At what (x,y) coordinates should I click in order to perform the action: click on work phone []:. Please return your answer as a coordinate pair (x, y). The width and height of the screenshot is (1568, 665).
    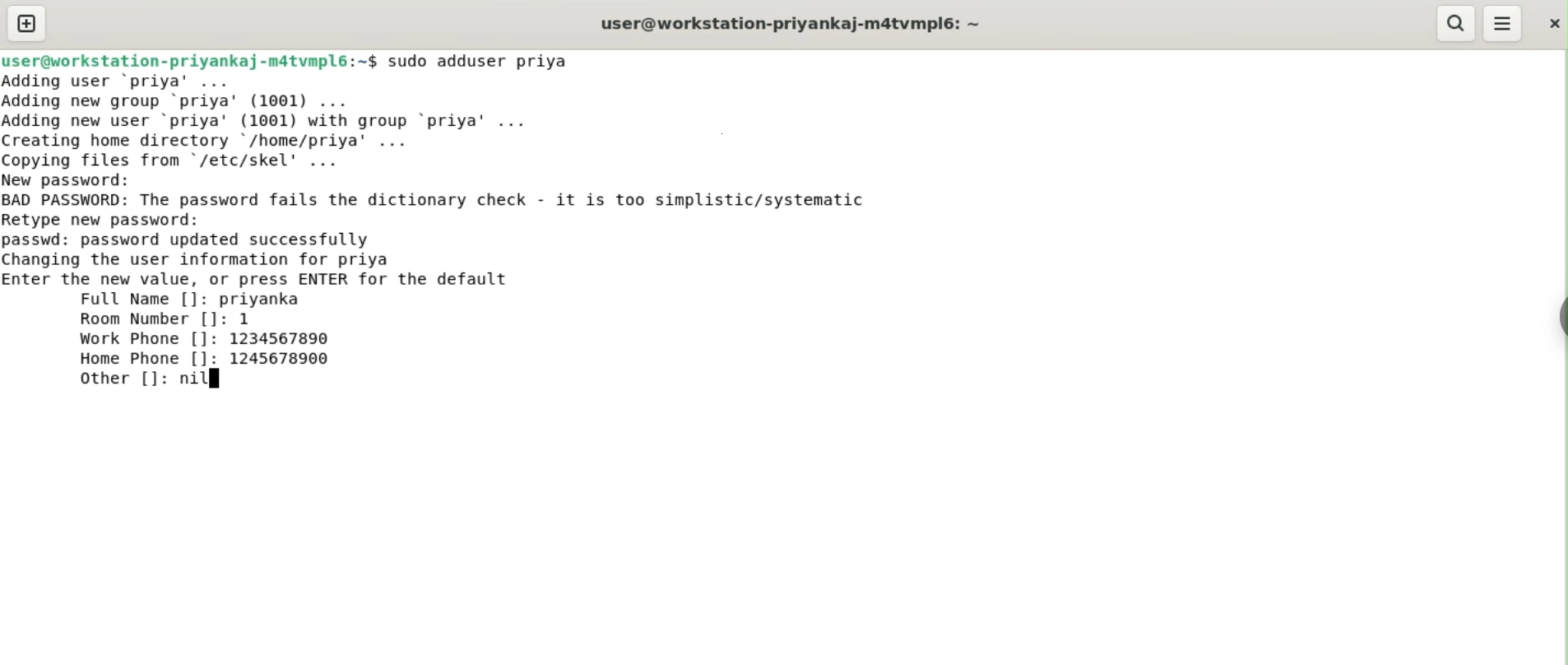
    Looking at the image, I should click on (141, 341).